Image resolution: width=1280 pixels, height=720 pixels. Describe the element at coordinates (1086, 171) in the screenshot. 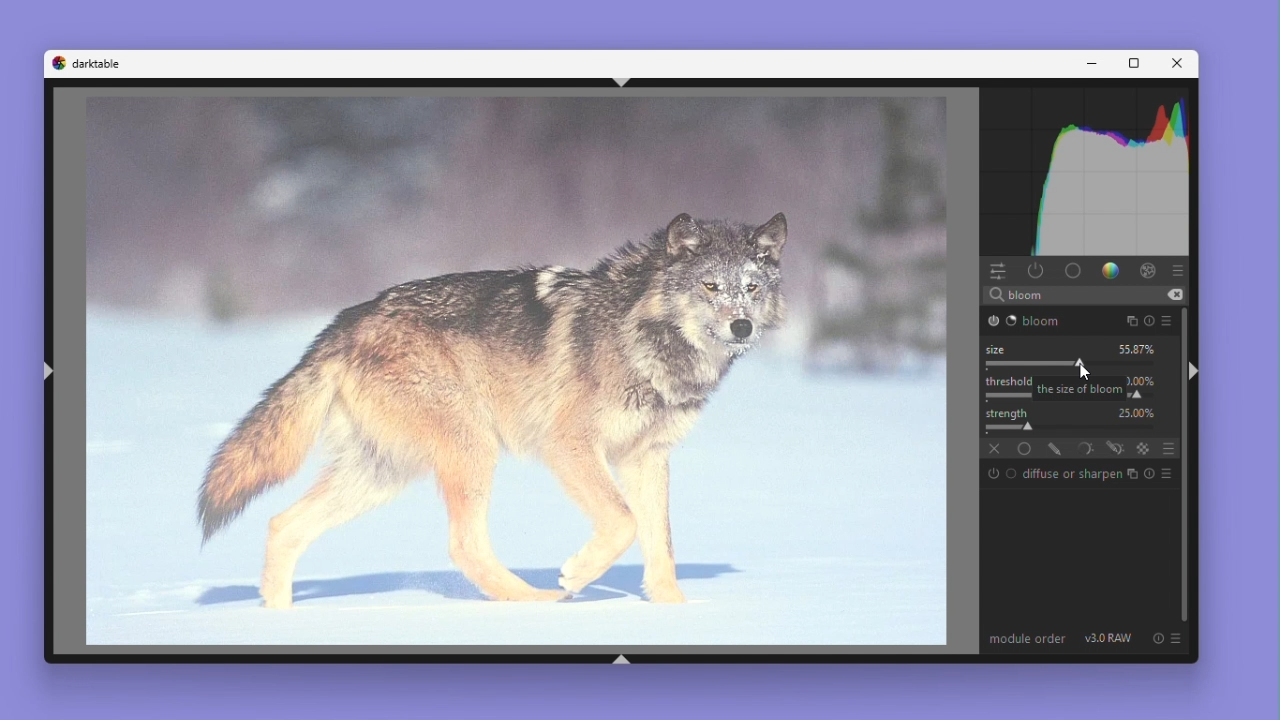

I see `Histogram` at that location.